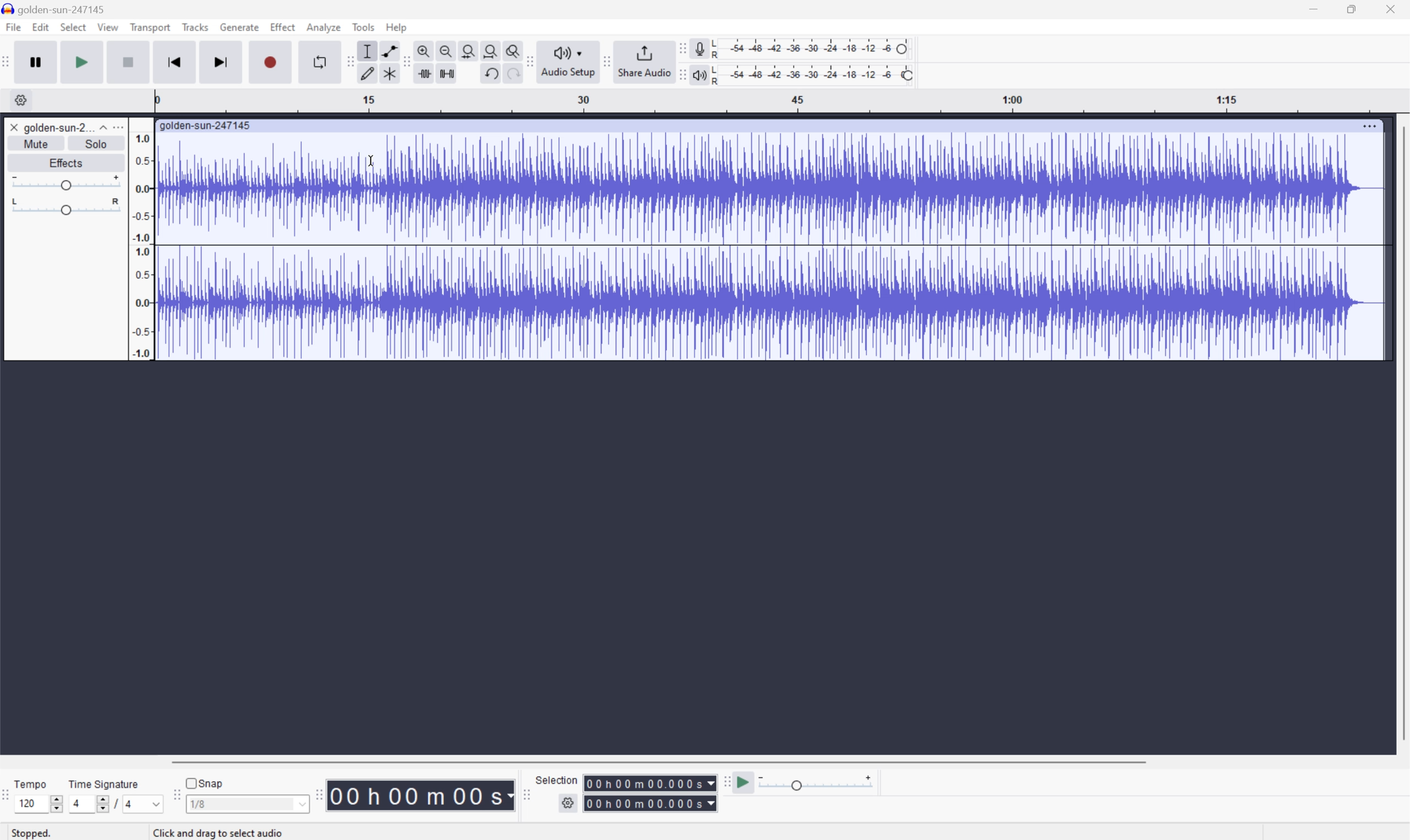  I want to click on 120, so click(27, 803).